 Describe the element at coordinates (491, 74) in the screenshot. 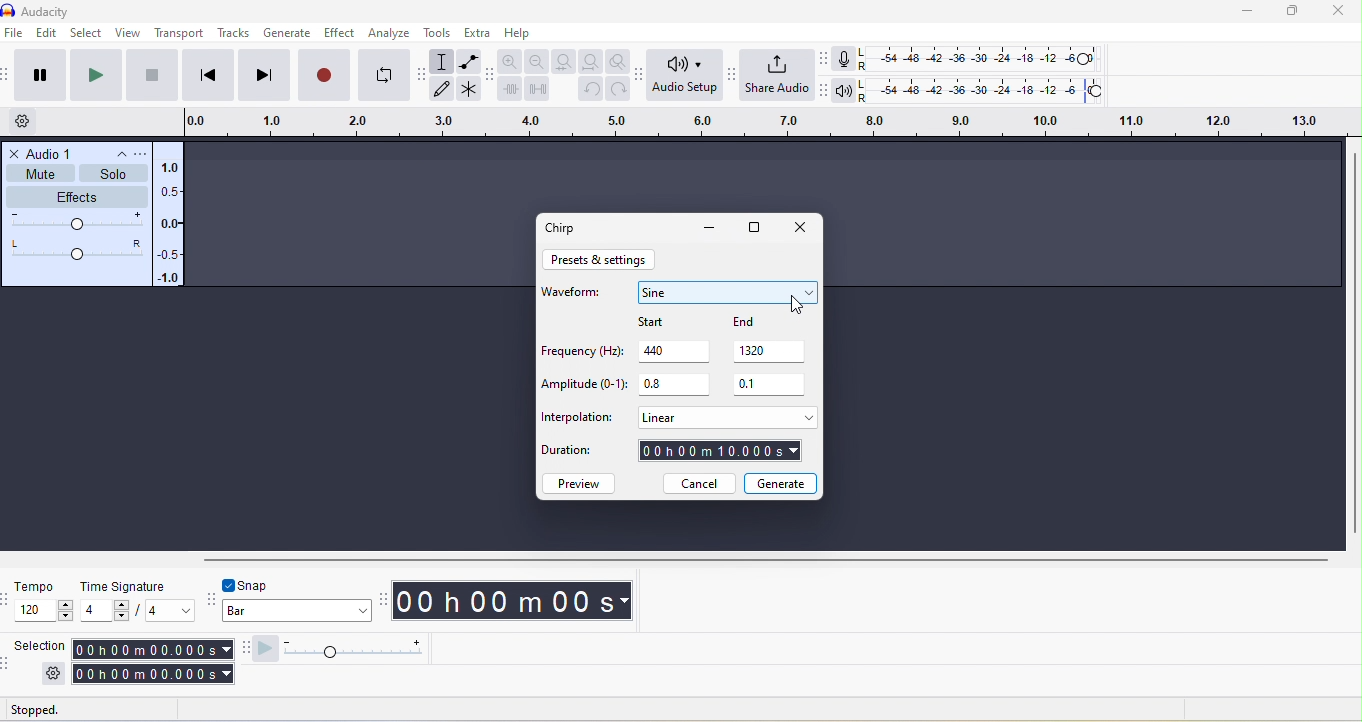

I see `audacity edit toolbar` at that location.